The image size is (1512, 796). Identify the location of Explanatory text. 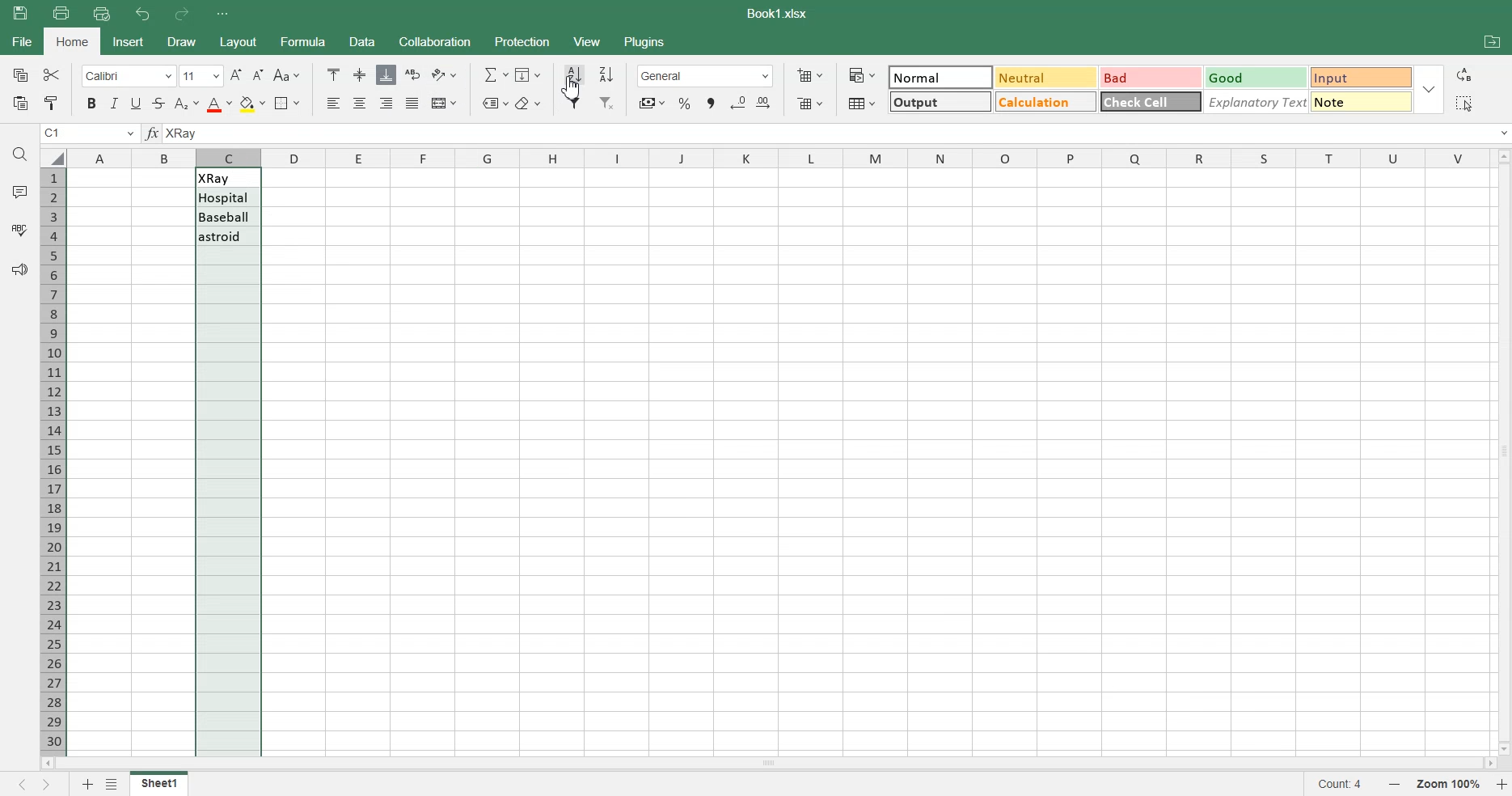
(1257, 104).